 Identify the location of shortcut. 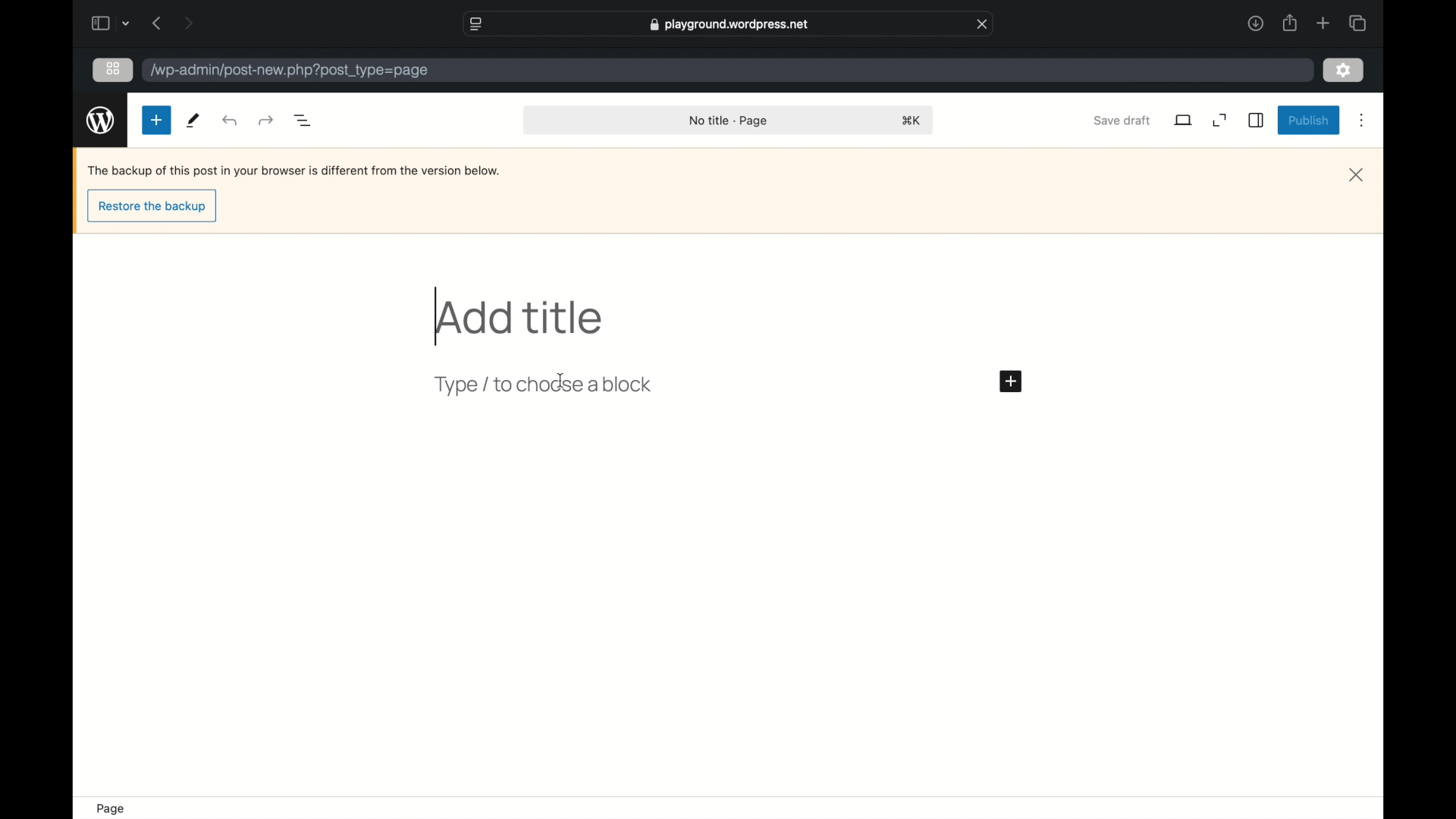
(912, 121).